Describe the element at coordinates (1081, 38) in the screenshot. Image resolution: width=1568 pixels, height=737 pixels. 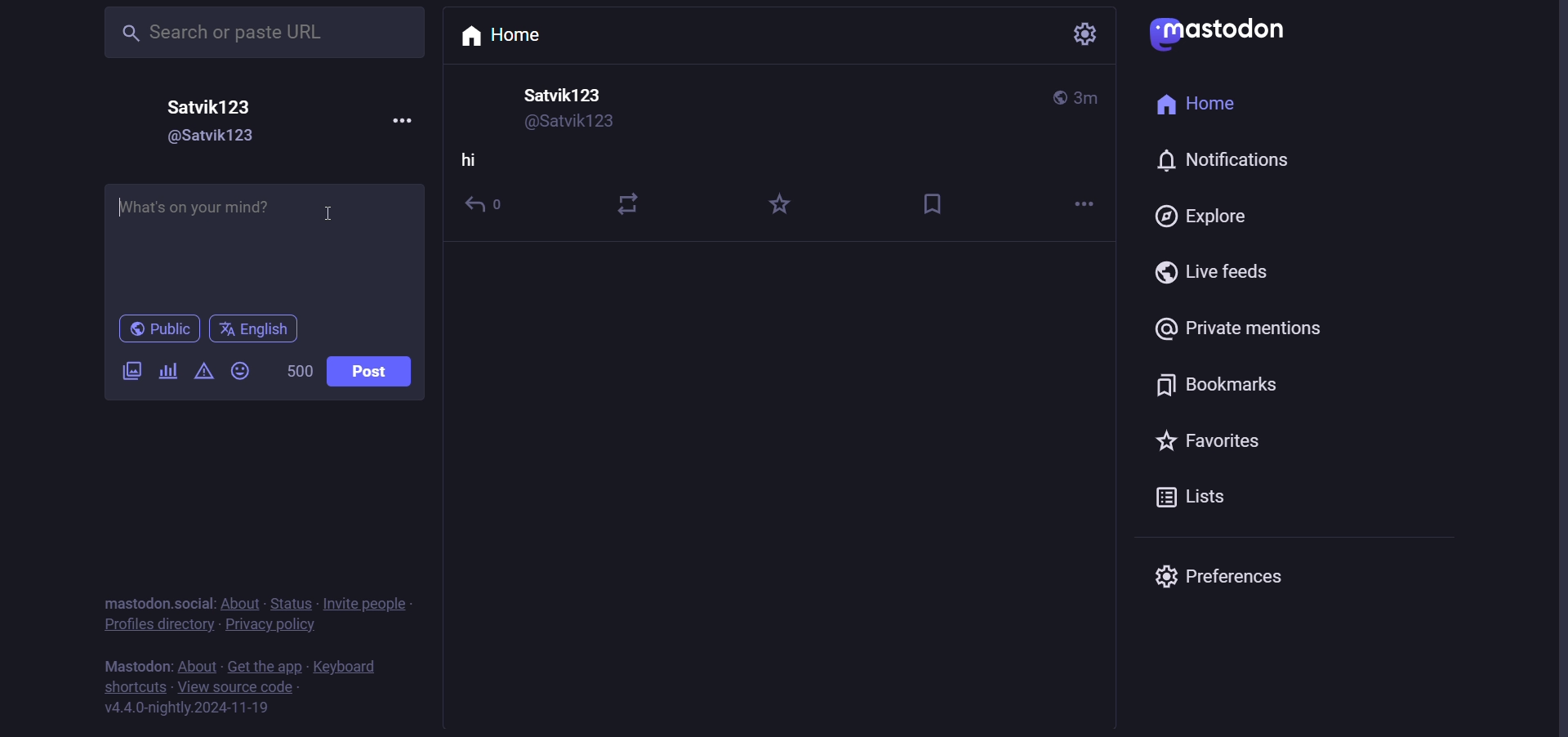
I see `setting` at that location.